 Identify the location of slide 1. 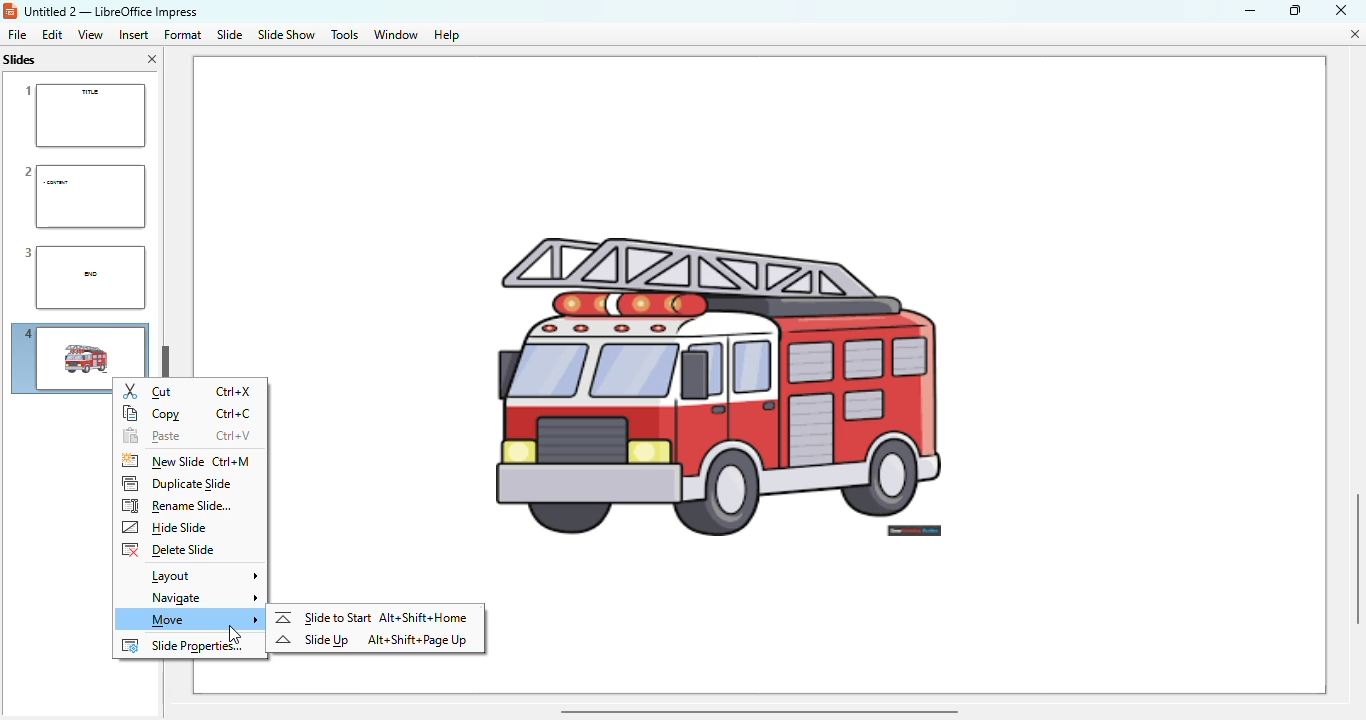
(83, 116).